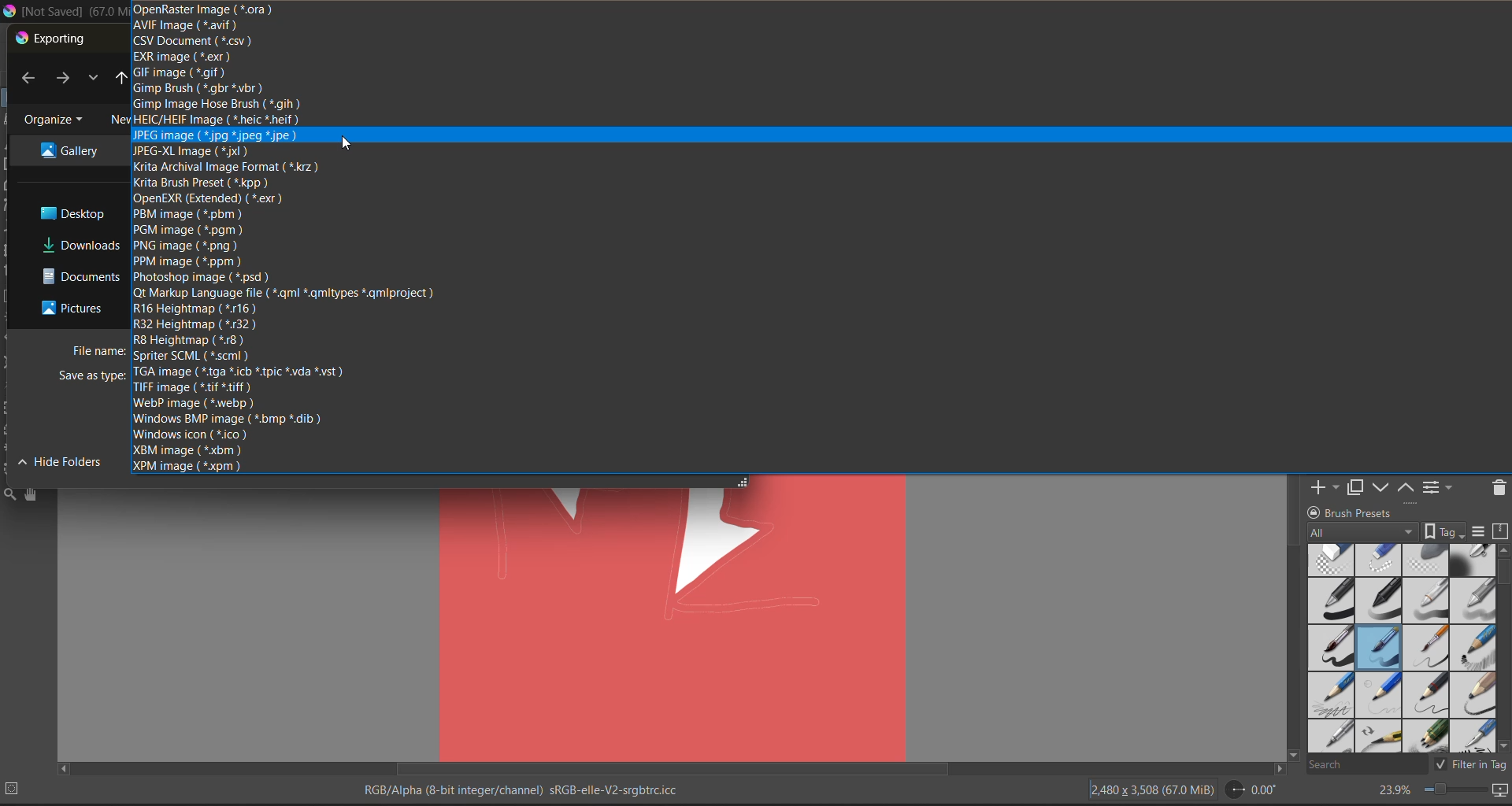  Describe the element at coordinates (1494, 490) in the screenshot. I see `delete the layer or mask` at that location.